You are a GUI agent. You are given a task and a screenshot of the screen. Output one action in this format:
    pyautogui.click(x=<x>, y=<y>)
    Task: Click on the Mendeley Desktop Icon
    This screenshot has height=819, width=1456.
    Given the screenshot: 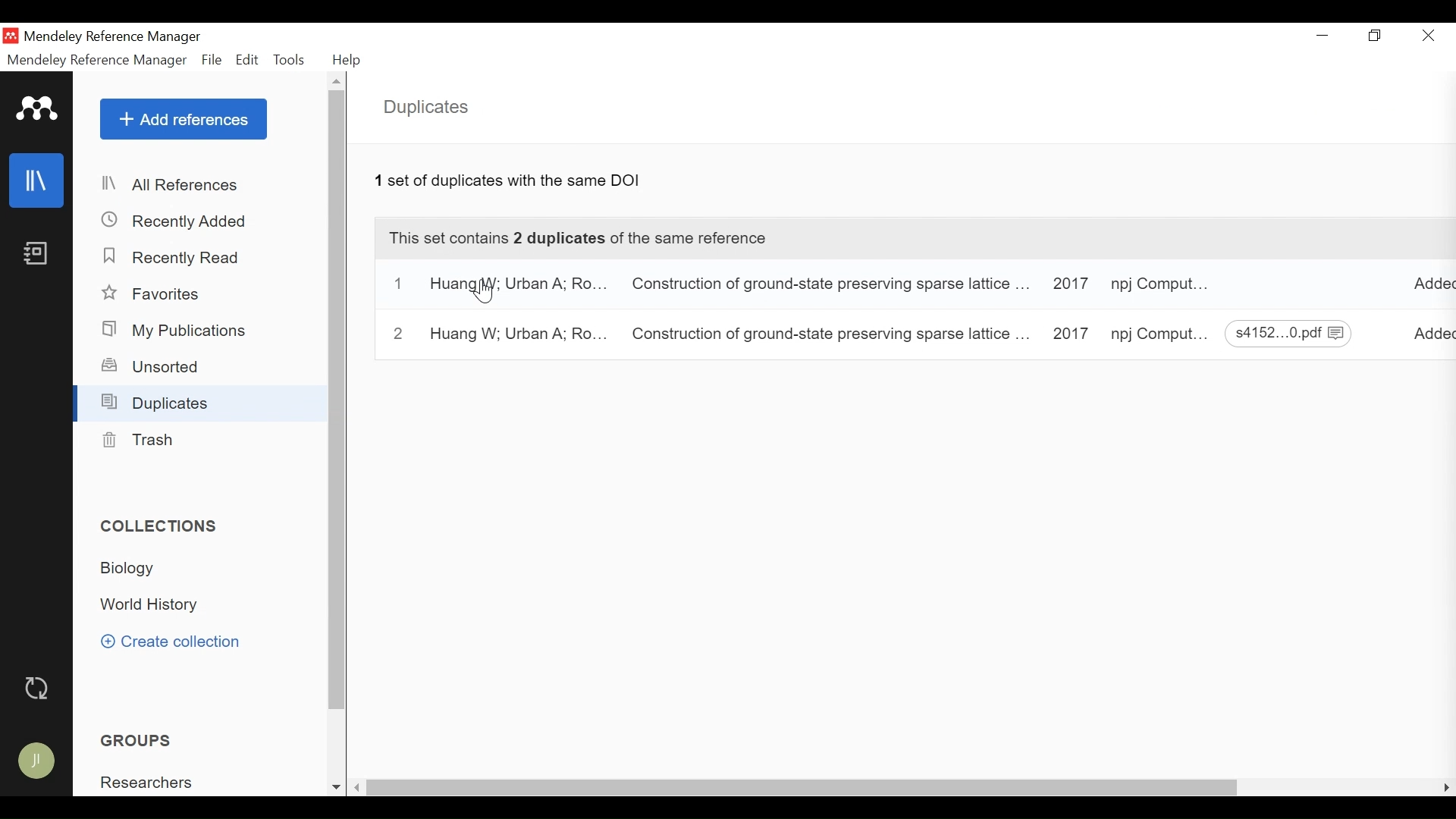 What is the action you would take?
    pyautogui.click(x=11, y=35)
    